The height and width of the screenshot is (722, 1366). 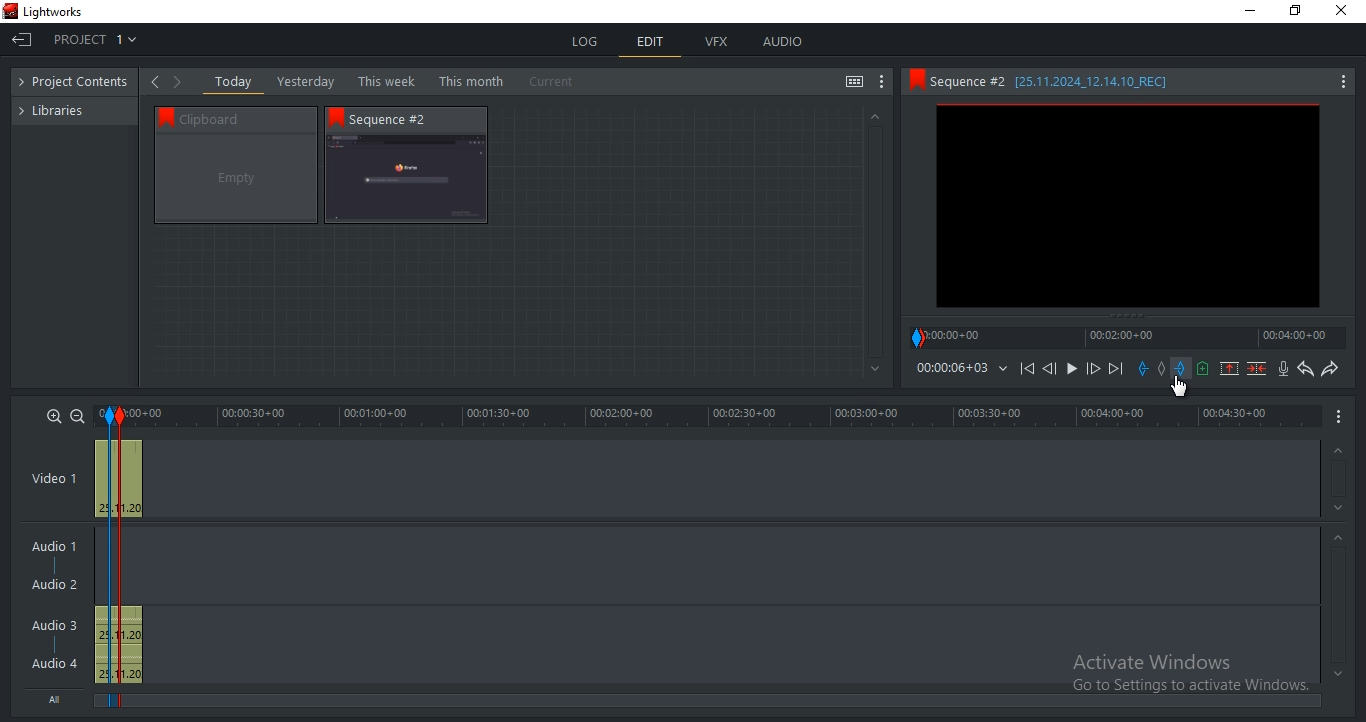 What do you see at coordinates (915, 80) in the screenshot?
I see `Bookmark icon` at bounding box center [915, 80].